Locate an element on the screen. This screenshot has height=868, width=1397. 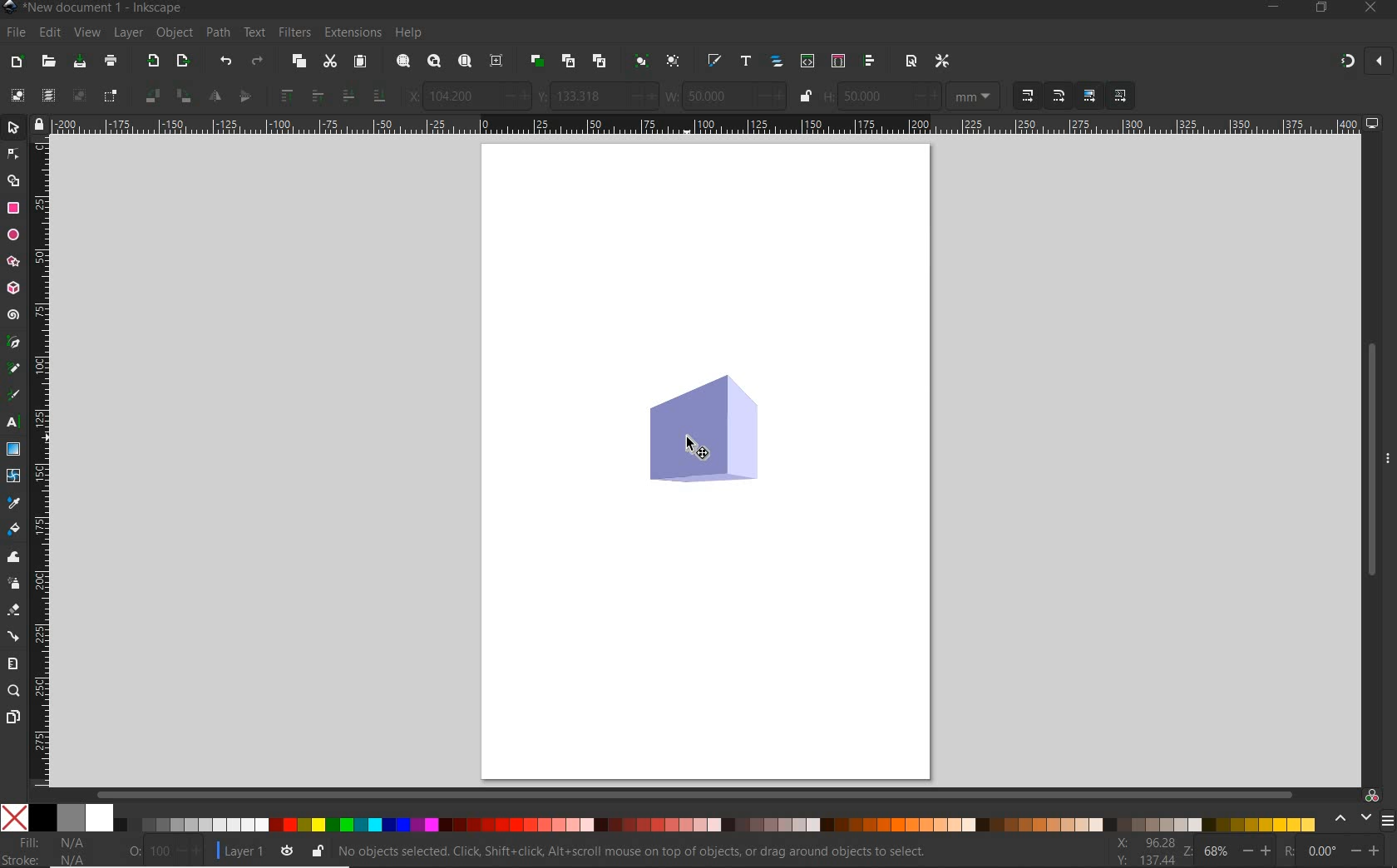
edit is located at coordinates (48, 33).